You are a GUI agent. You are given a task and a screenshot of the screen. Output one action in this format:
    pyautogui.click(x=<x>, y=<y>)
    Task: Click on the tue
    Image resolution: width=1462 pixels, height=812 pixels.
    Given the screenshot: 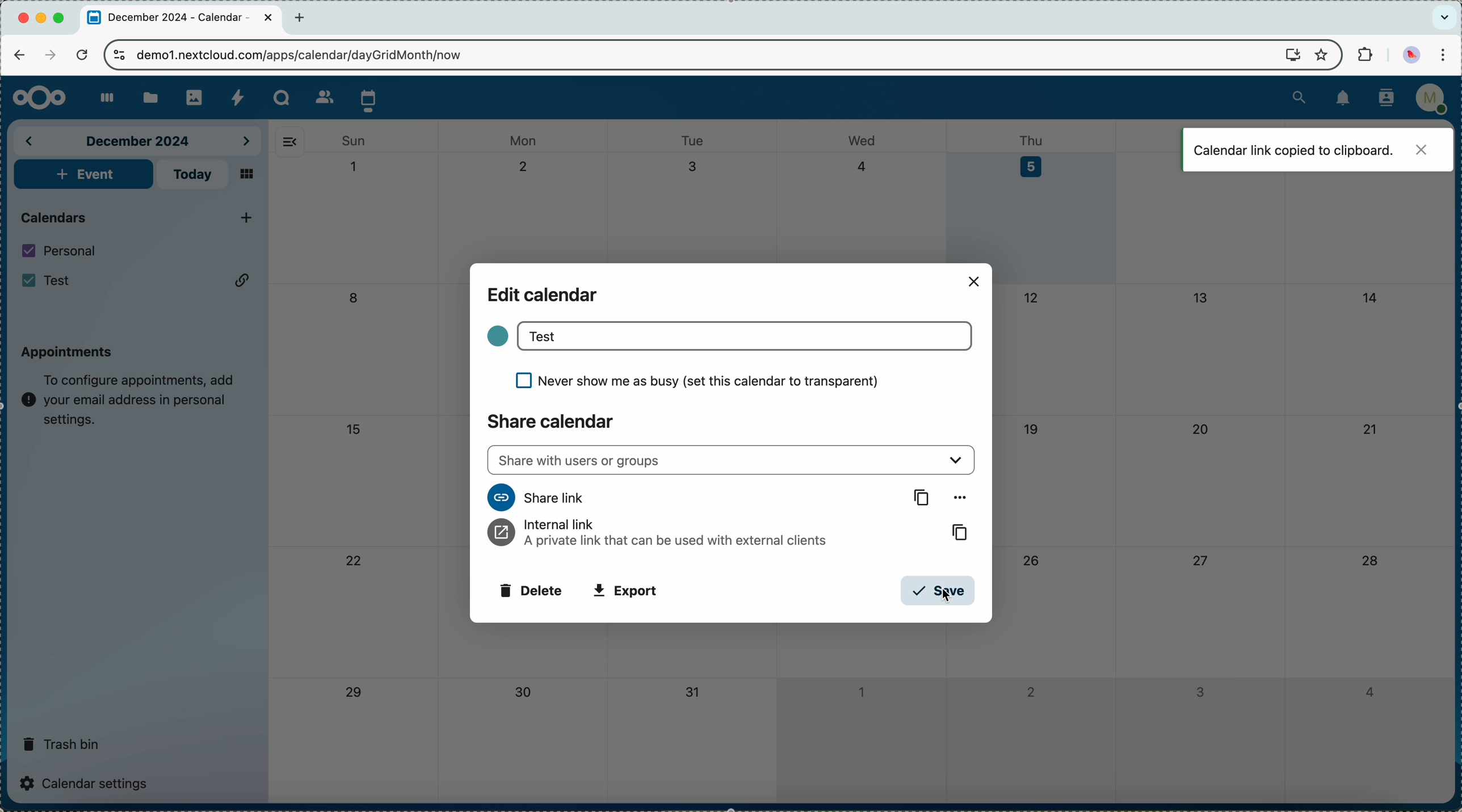 What is the action you would take?
    pyautogui.click(x=692, y=140)
    